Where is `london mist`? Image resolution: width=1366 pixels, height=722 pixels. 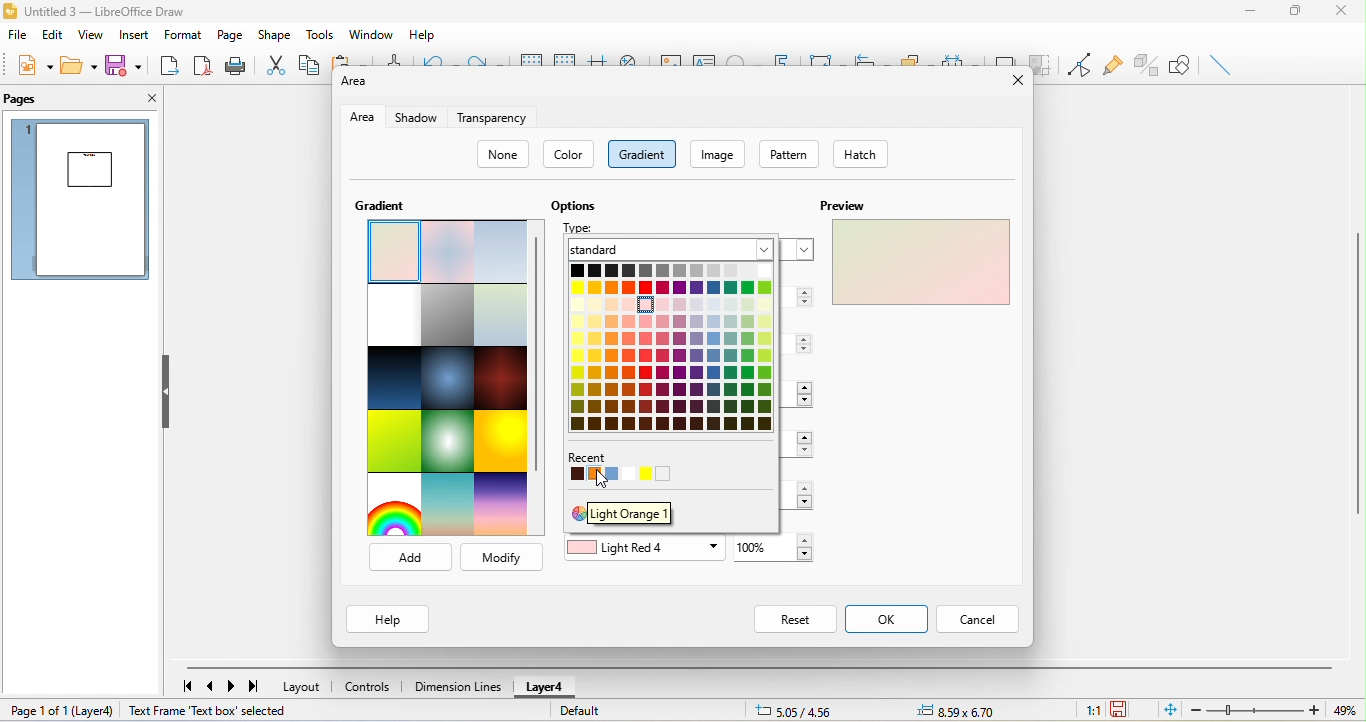
london mist is located at coordinates (448, 316).